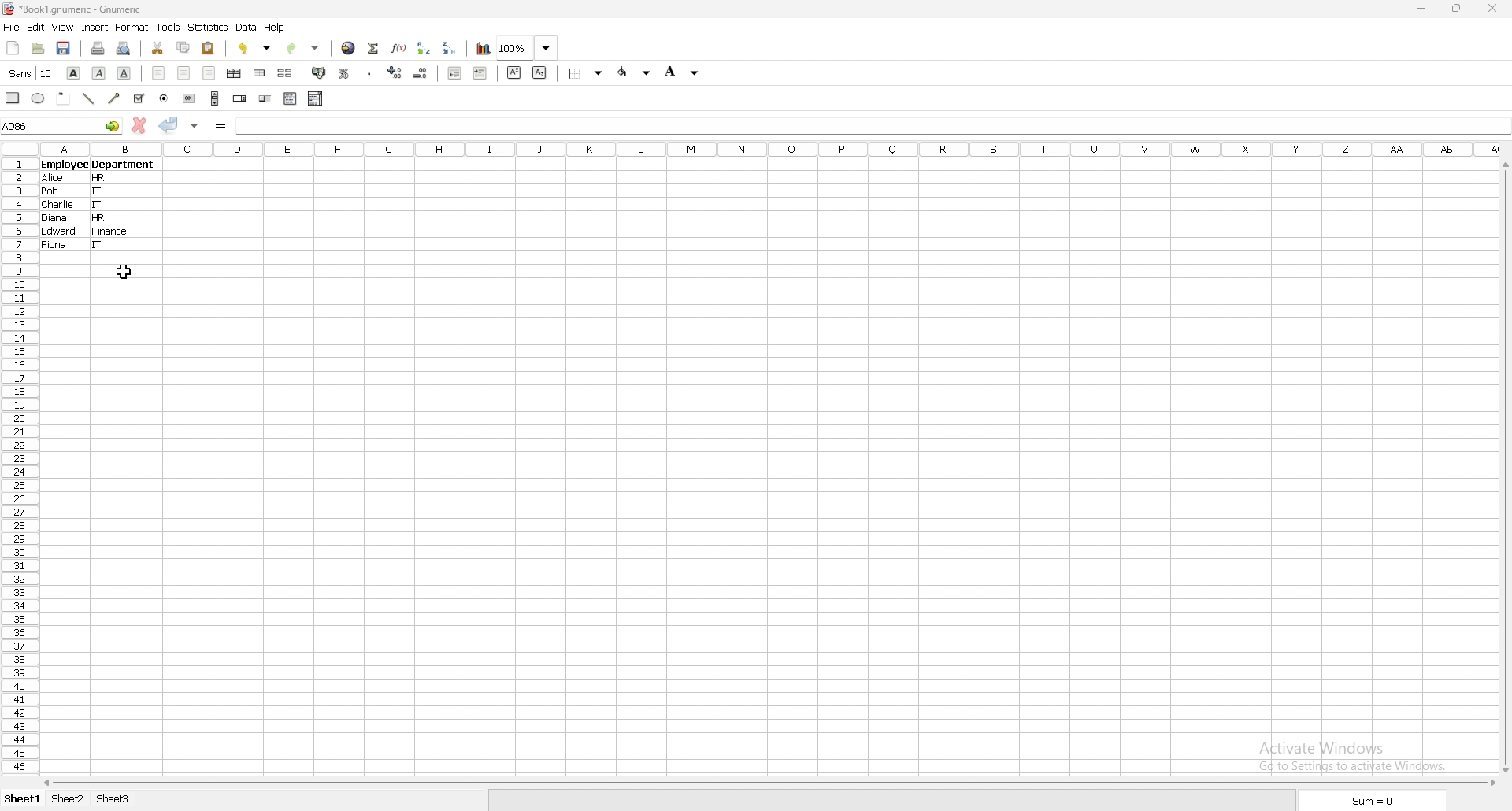  What do you see at coordinates (38, 98) in the screenshot?
I see `ellipse` at bounding box center [38, 98].